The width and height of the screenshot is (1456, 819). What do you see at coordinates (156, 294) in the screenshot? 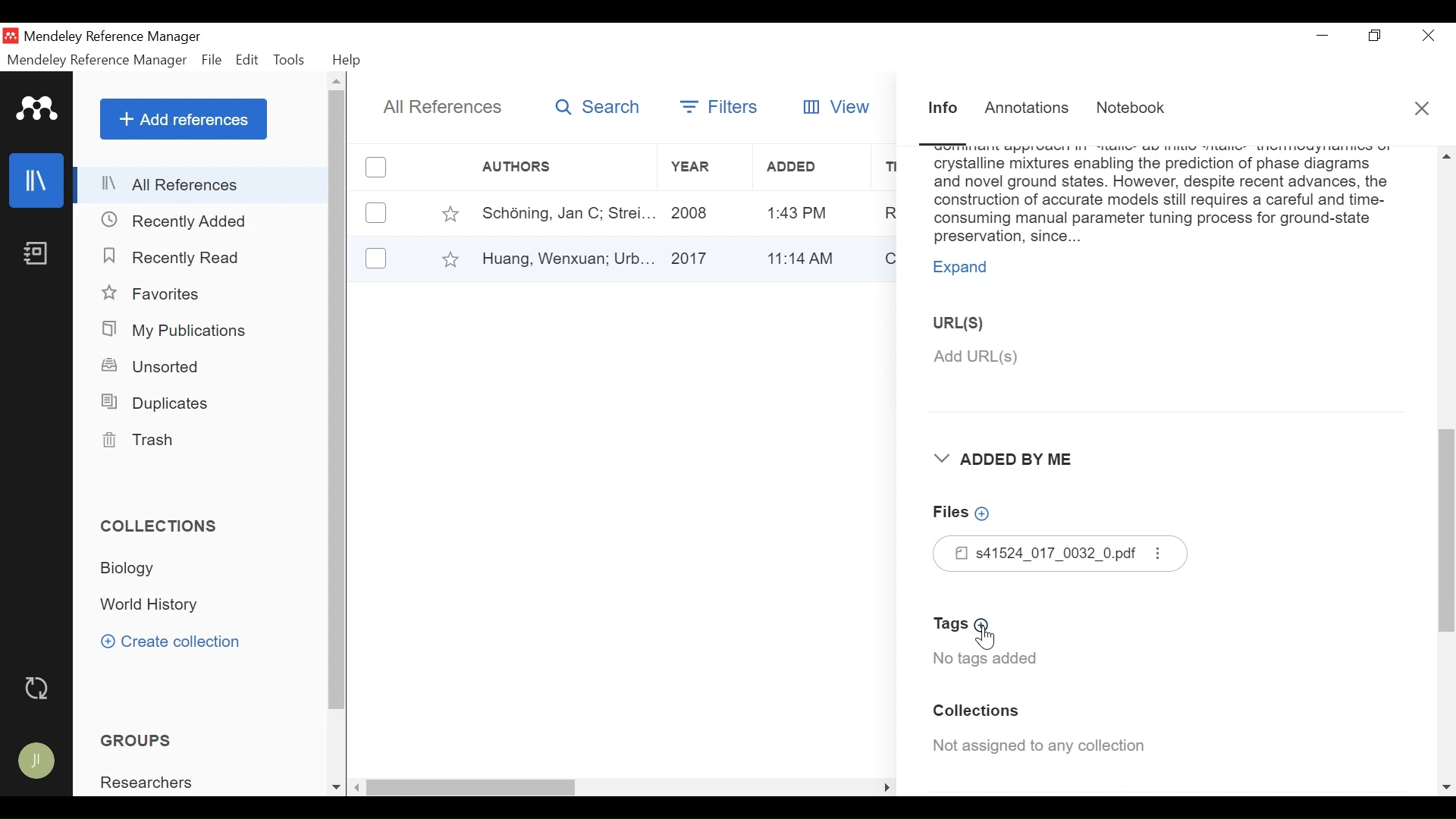
I see `Favorites` at bounding box center [156, 294].